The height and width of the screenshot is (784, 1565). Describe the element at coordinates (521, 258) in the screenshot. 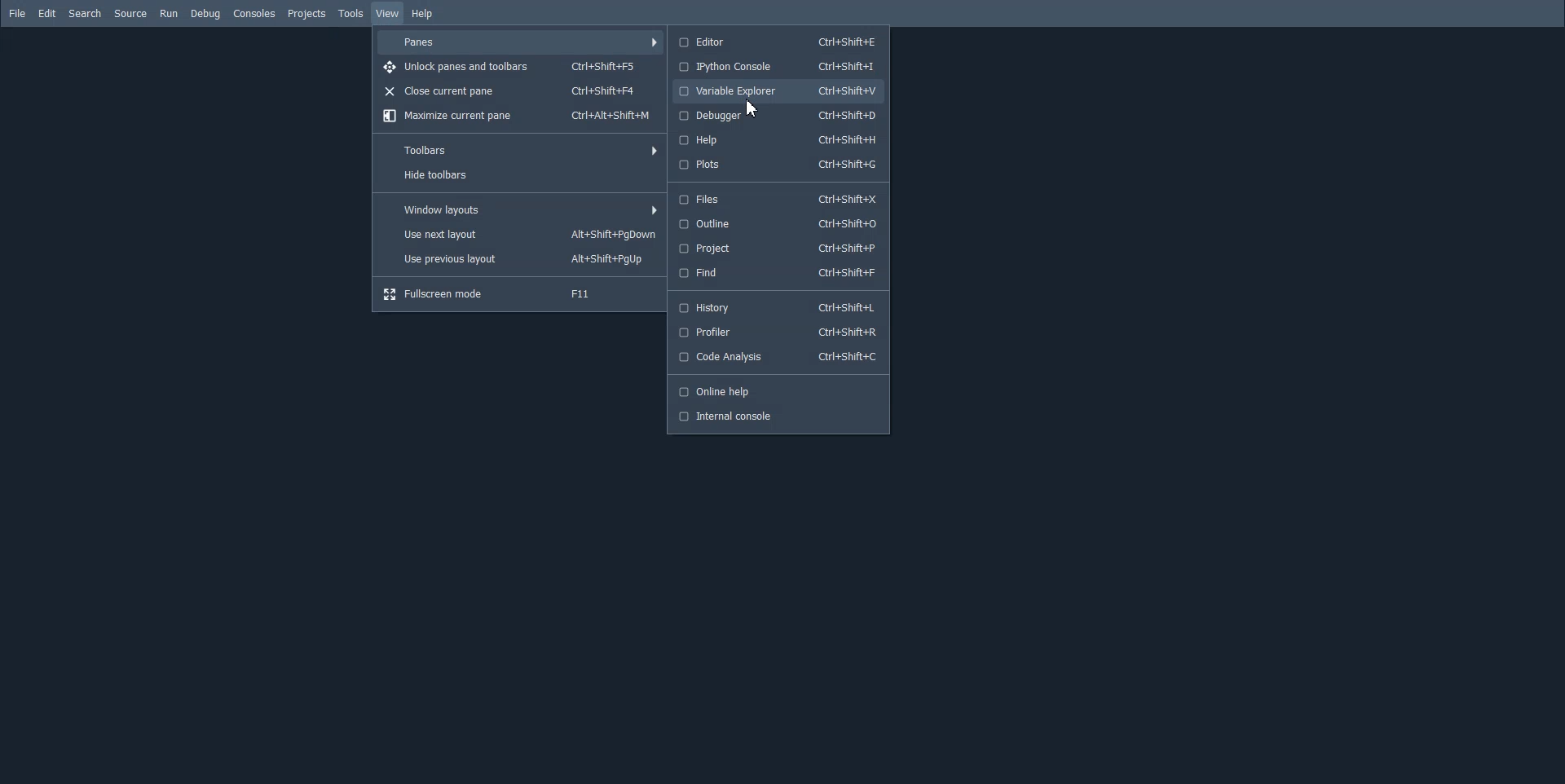

I see `Use previous layout` at that location.